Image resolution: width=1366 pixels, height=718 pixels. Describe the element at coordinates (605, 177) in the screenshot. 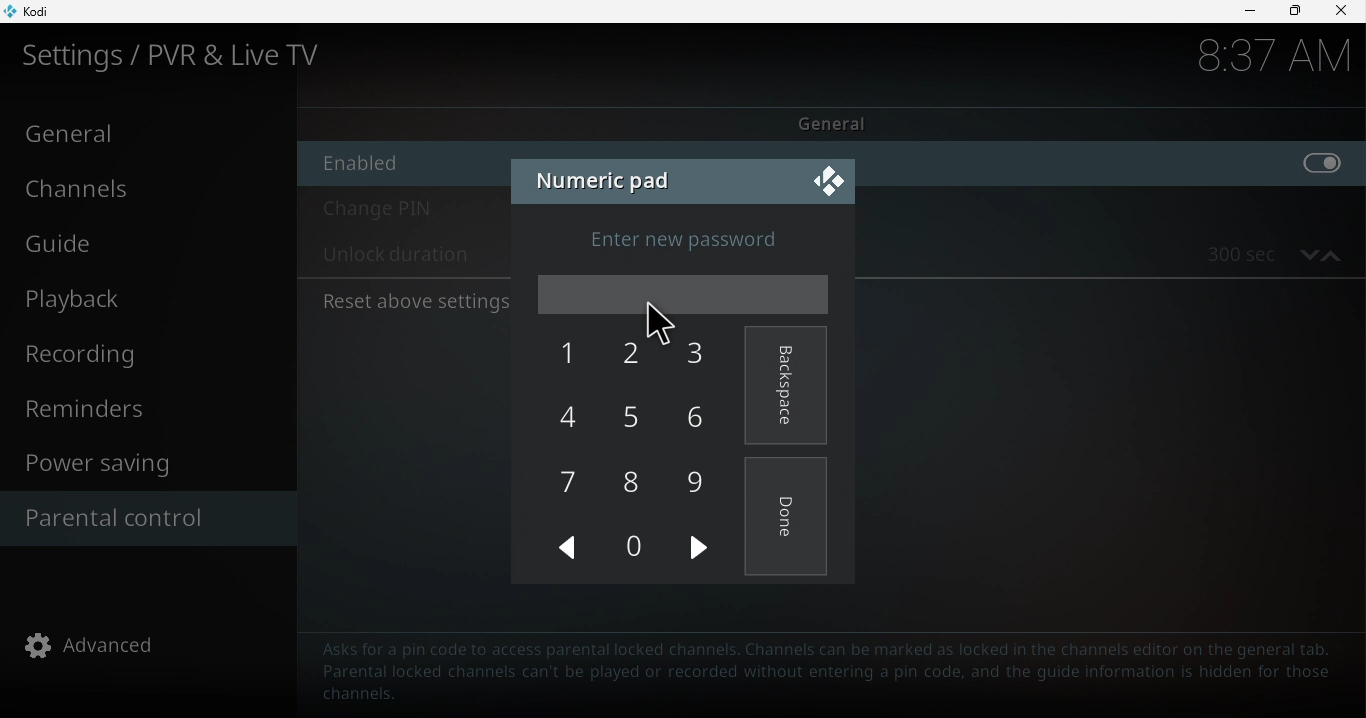

I see `Numeric pad` at that location.